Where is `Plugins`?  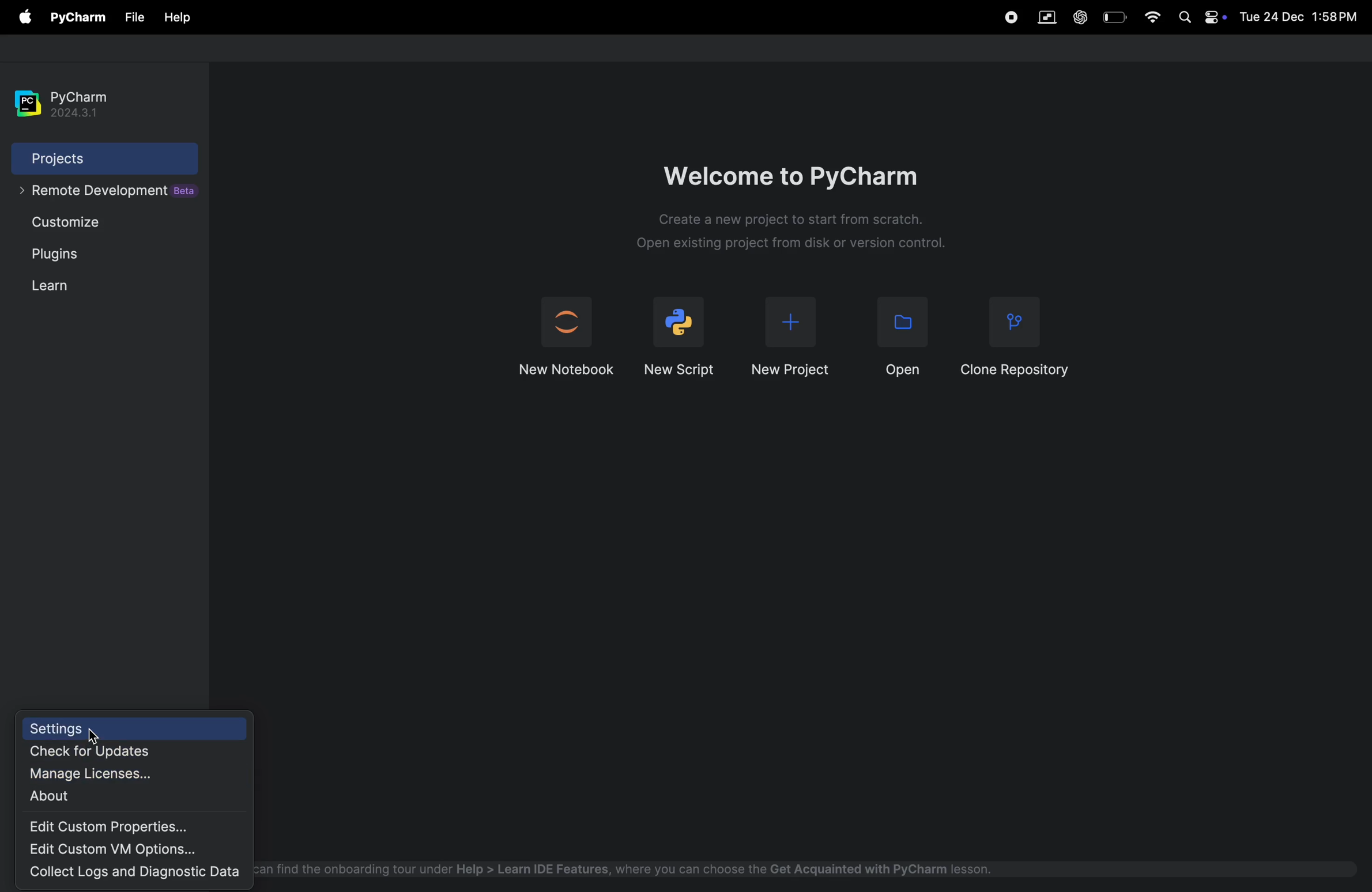 Plugins is located at coordinates (59, 258).